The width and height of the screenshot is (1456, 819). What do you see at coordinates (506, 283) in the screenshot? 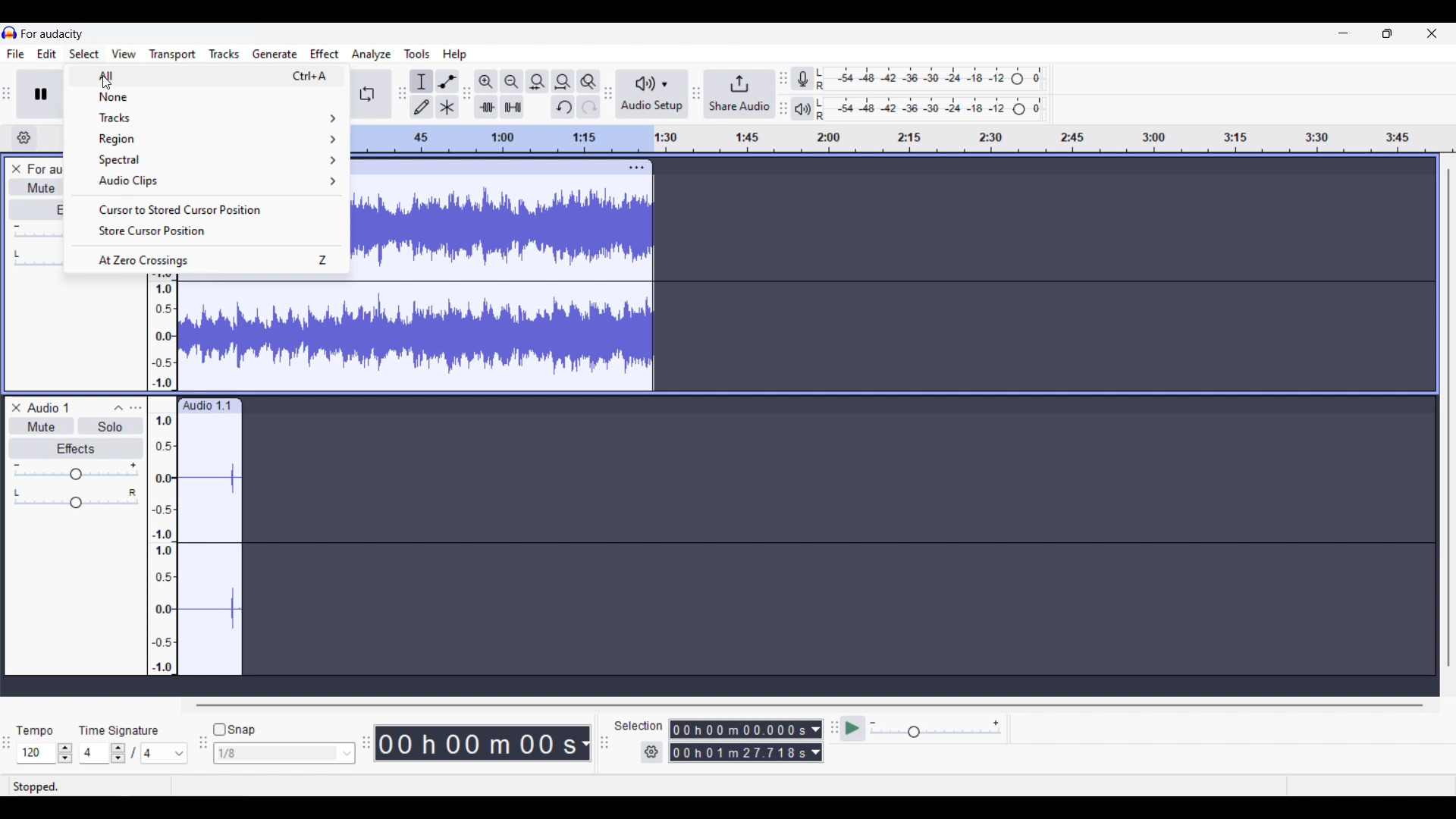
I see `track waveform` at bounding box center [506, 283].